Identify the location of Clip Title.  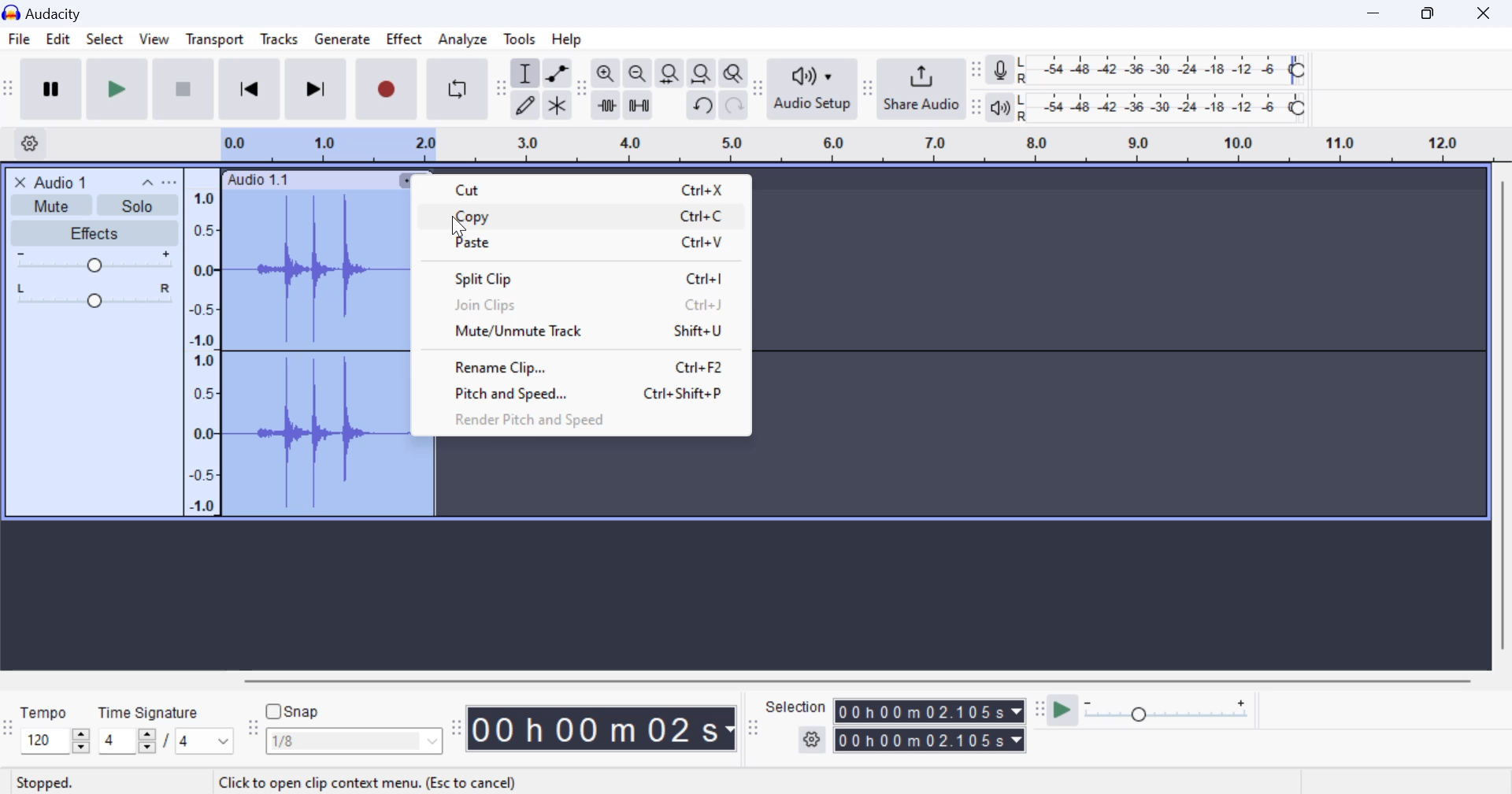
(68, 181).